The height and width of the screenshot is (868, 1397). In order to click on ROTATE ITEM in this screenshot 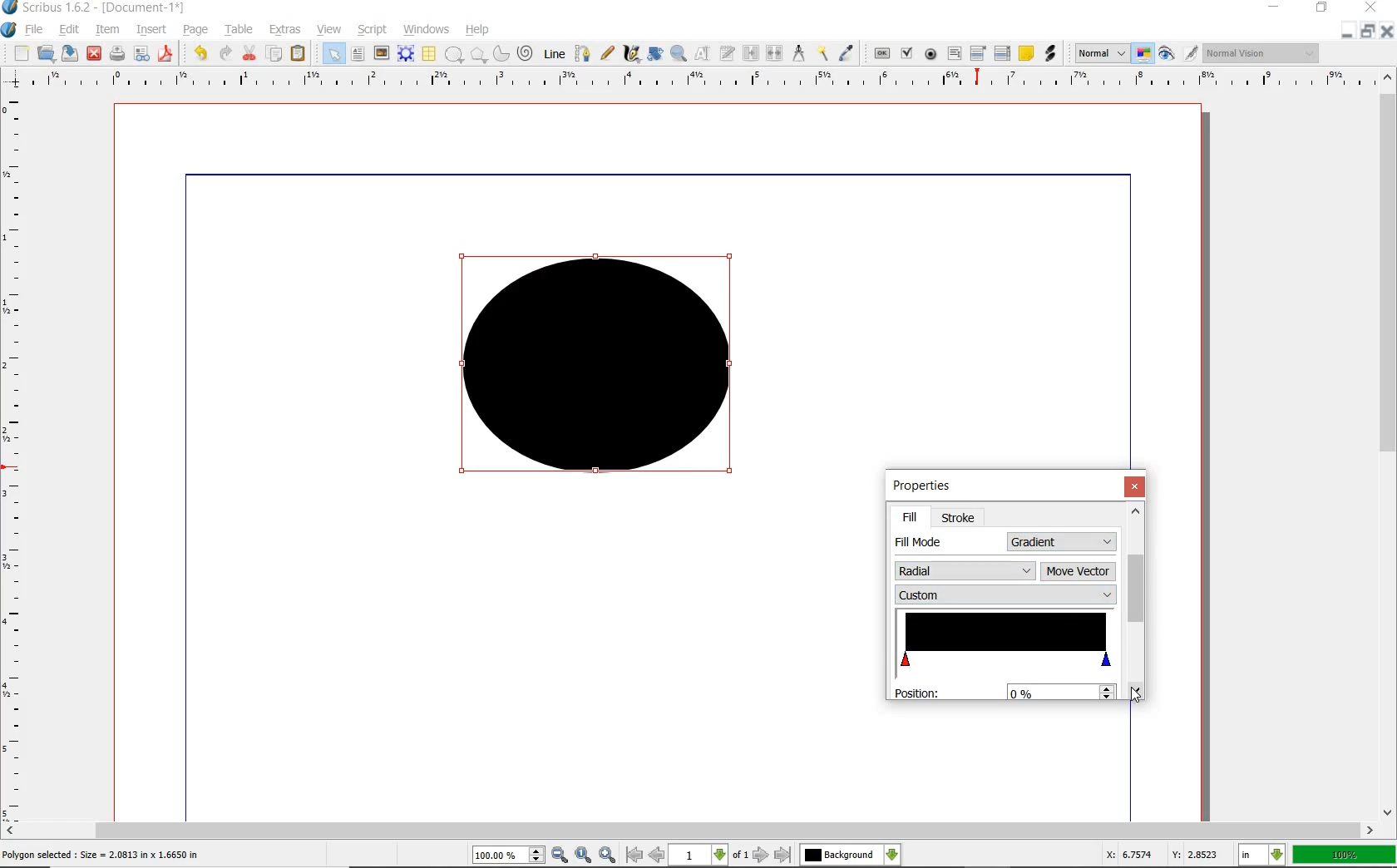, I will do `click(654, 52)`.